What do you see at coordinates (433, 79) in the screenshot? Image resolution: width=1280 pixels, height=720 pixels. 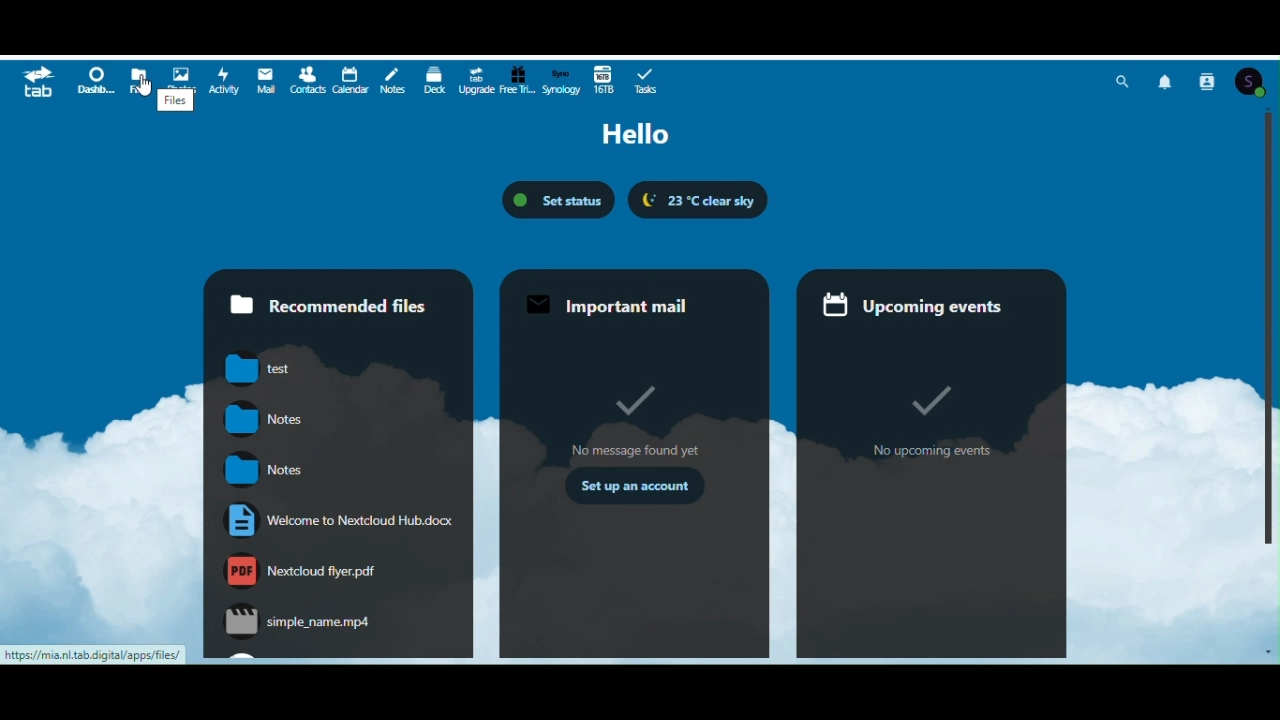 I see `D e c k` at bounding box center [433, 79].